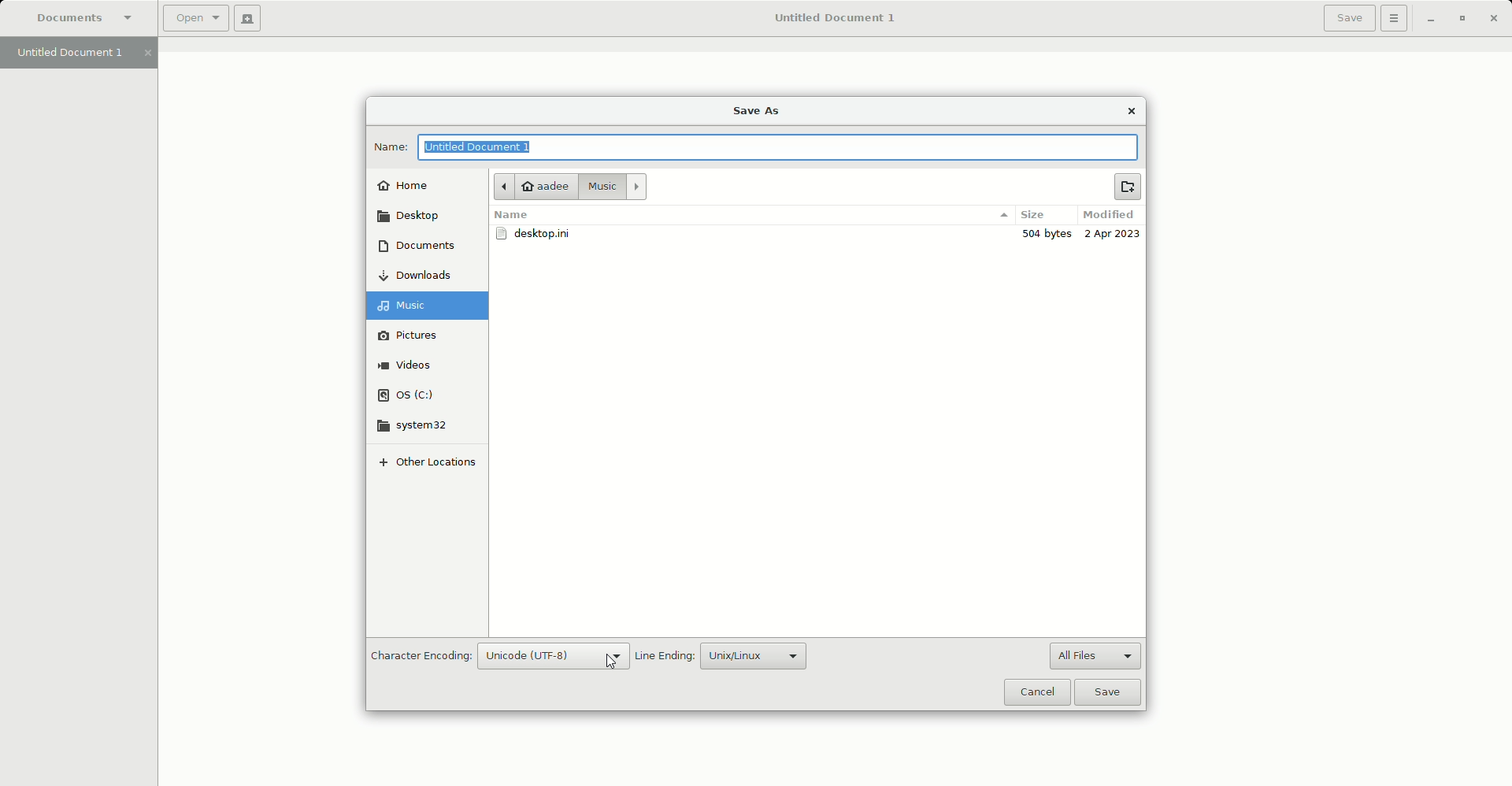 Image resolution: width=1512 pixels, height=786 pixels. Describe the element at coordinates (662, 656) in the screenshot. I see `Line Ending` at that location.